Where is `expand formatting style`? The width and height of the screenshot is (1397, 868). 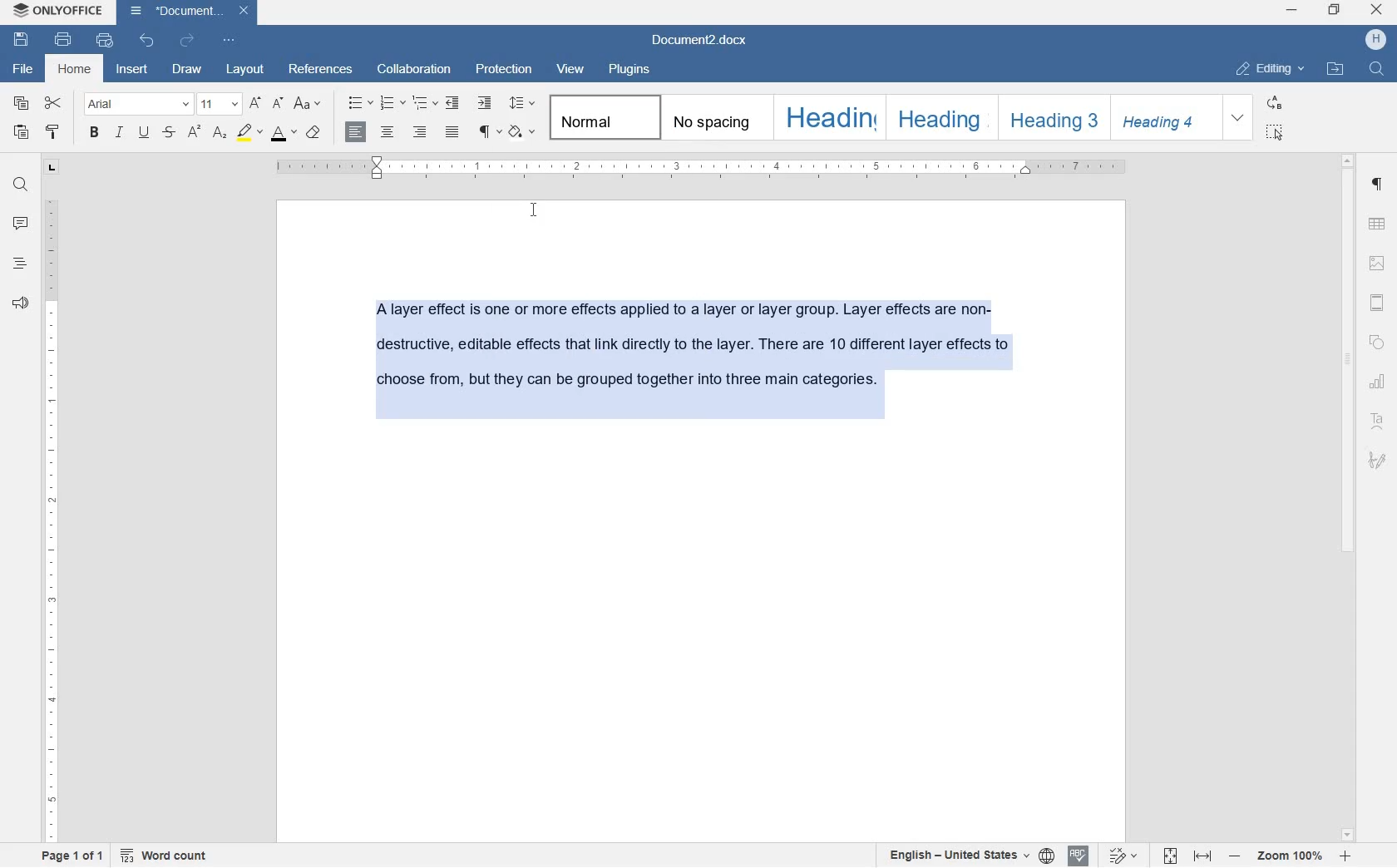 expand formatting style is located at coordinates (1240, 118).